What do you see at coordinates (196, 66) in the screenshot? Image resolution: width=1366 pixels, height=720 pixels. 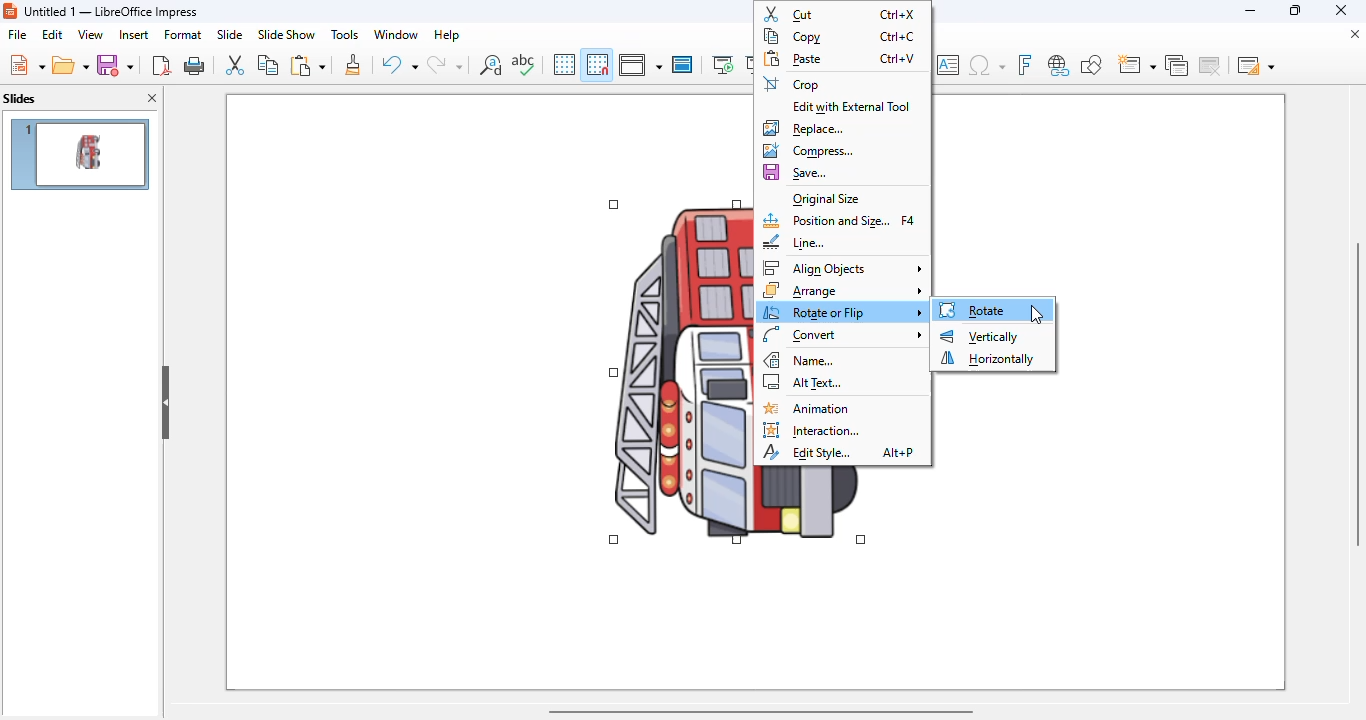 I see `print` at bounding box center [196, 66].